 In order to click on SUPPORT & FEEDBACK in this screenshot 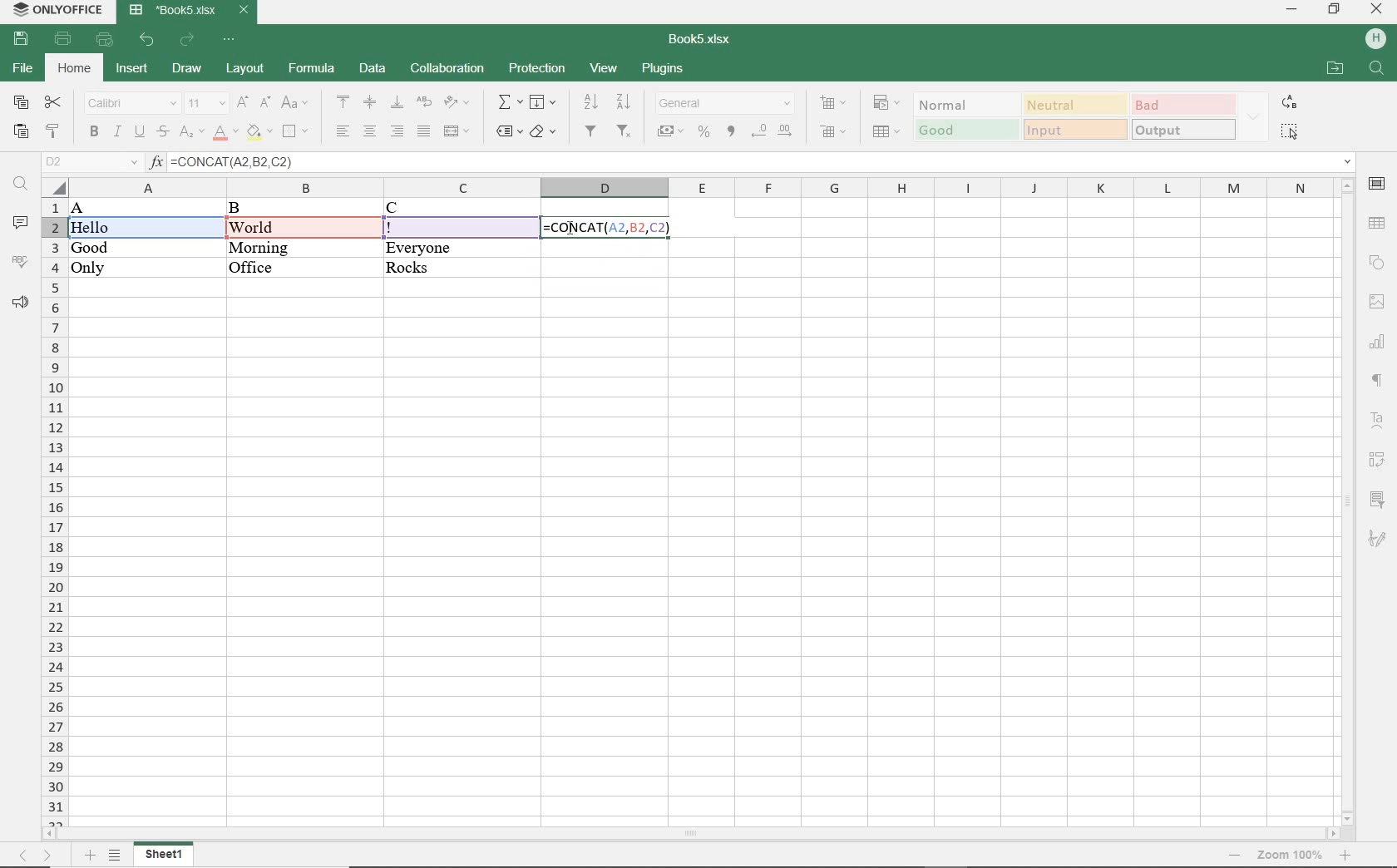, I will do `click(19, 301)`.